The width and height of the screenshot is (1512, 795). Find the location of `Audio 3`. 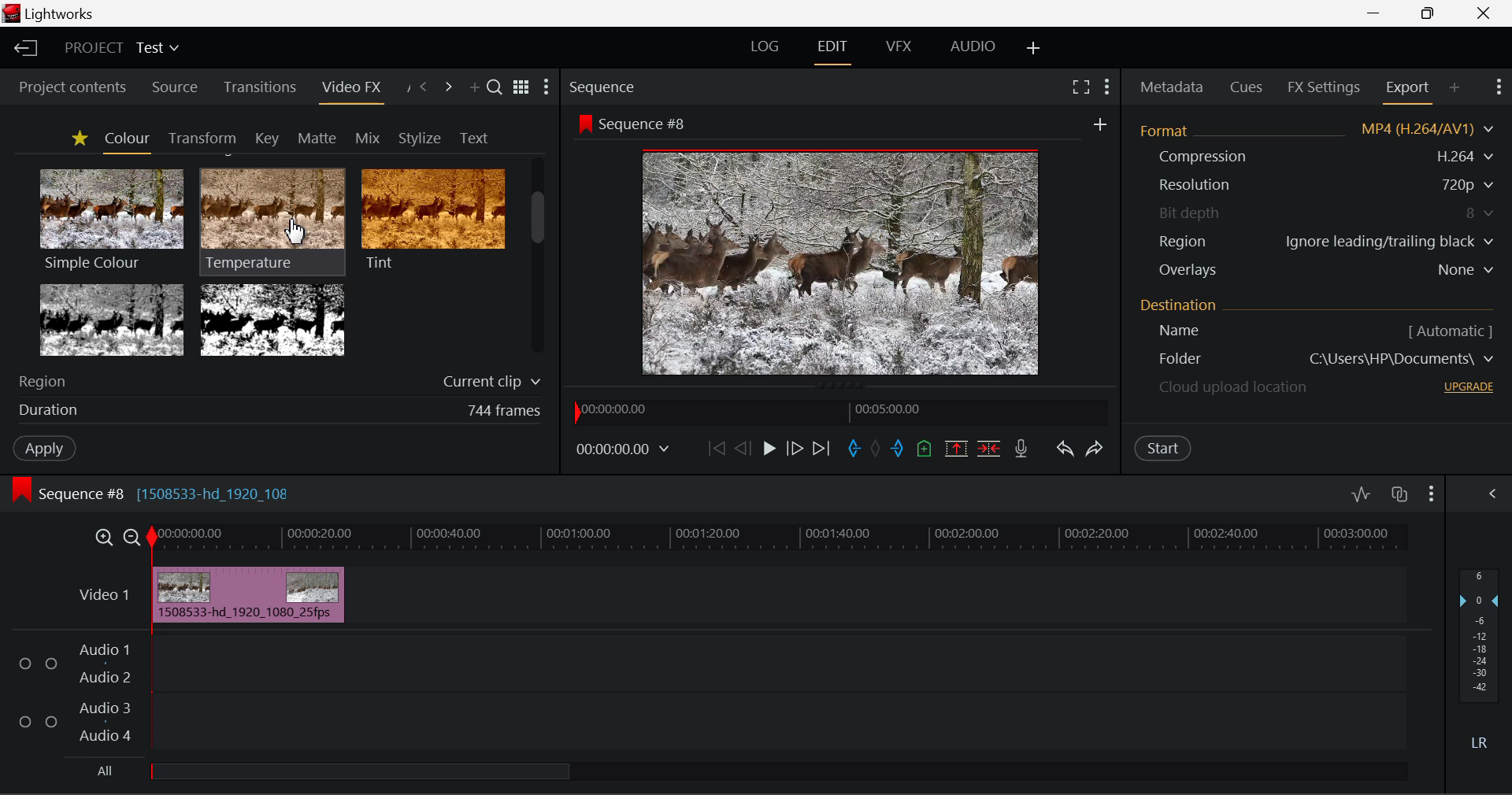

Audio 3 is located at coordinates (102, 708).